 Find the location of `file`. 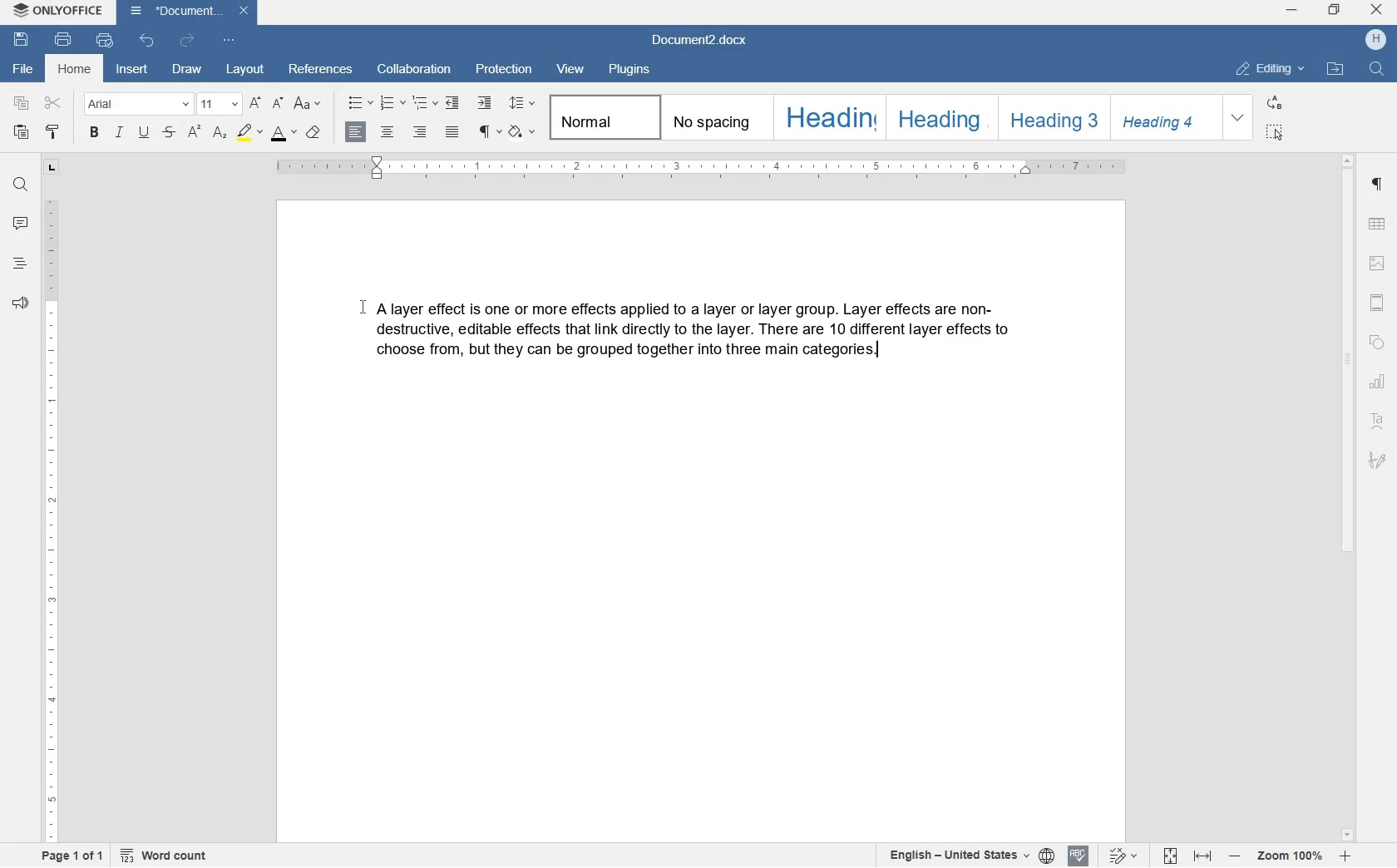

file is located at coordinates (23, 69).